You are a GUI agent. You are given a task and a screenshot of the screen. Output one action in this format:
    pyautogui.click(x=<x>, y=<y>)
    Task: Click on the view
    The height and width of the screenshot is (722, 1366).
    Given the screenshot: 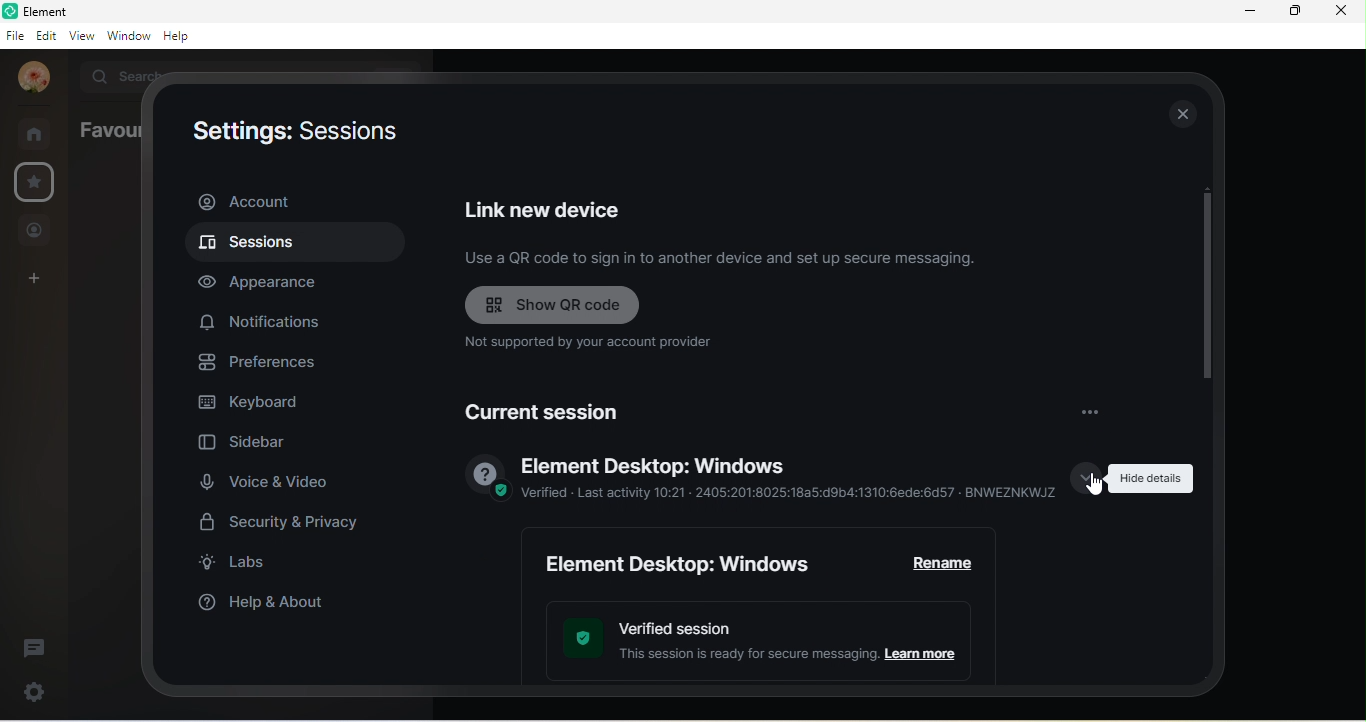 What is the action you would take?
    pyautogui.click(x=82, y=34)
    